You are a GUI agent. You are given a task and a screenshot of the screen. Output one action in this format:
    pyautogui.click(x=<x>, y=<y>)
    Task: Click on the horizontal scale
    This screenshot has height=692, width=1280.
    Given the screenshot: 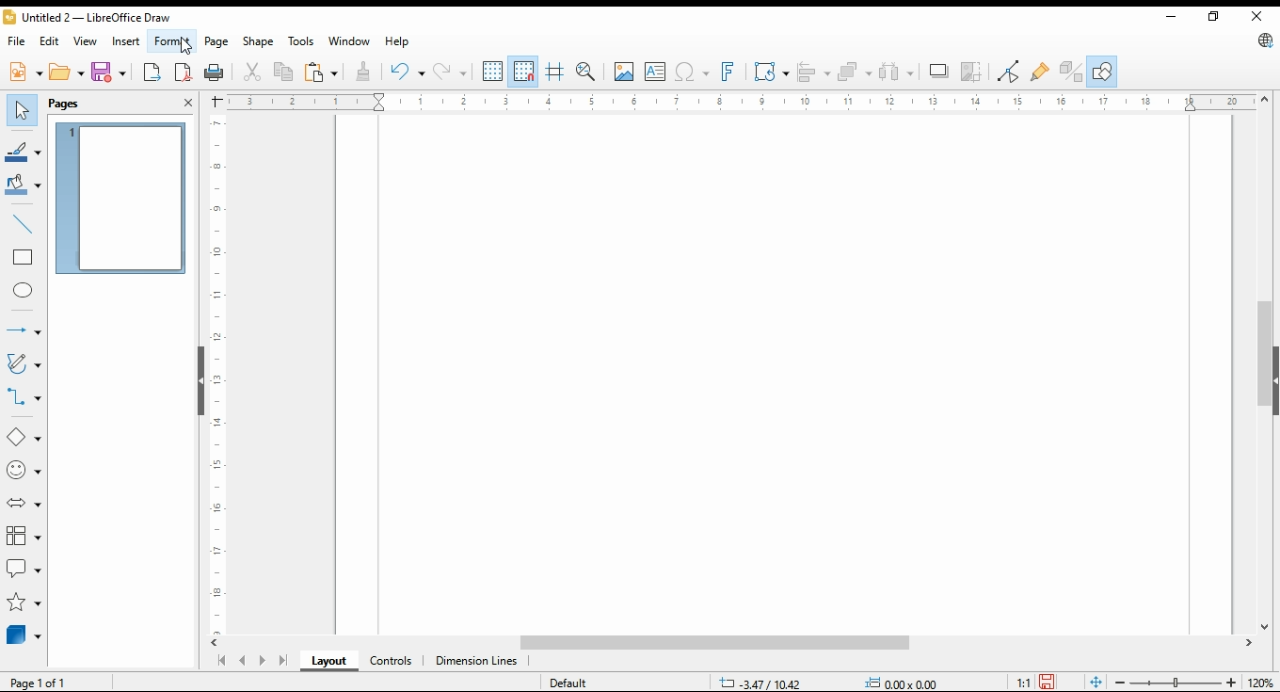 What is the action you would take?
    pyautogui.click(x=739, y=102)
    